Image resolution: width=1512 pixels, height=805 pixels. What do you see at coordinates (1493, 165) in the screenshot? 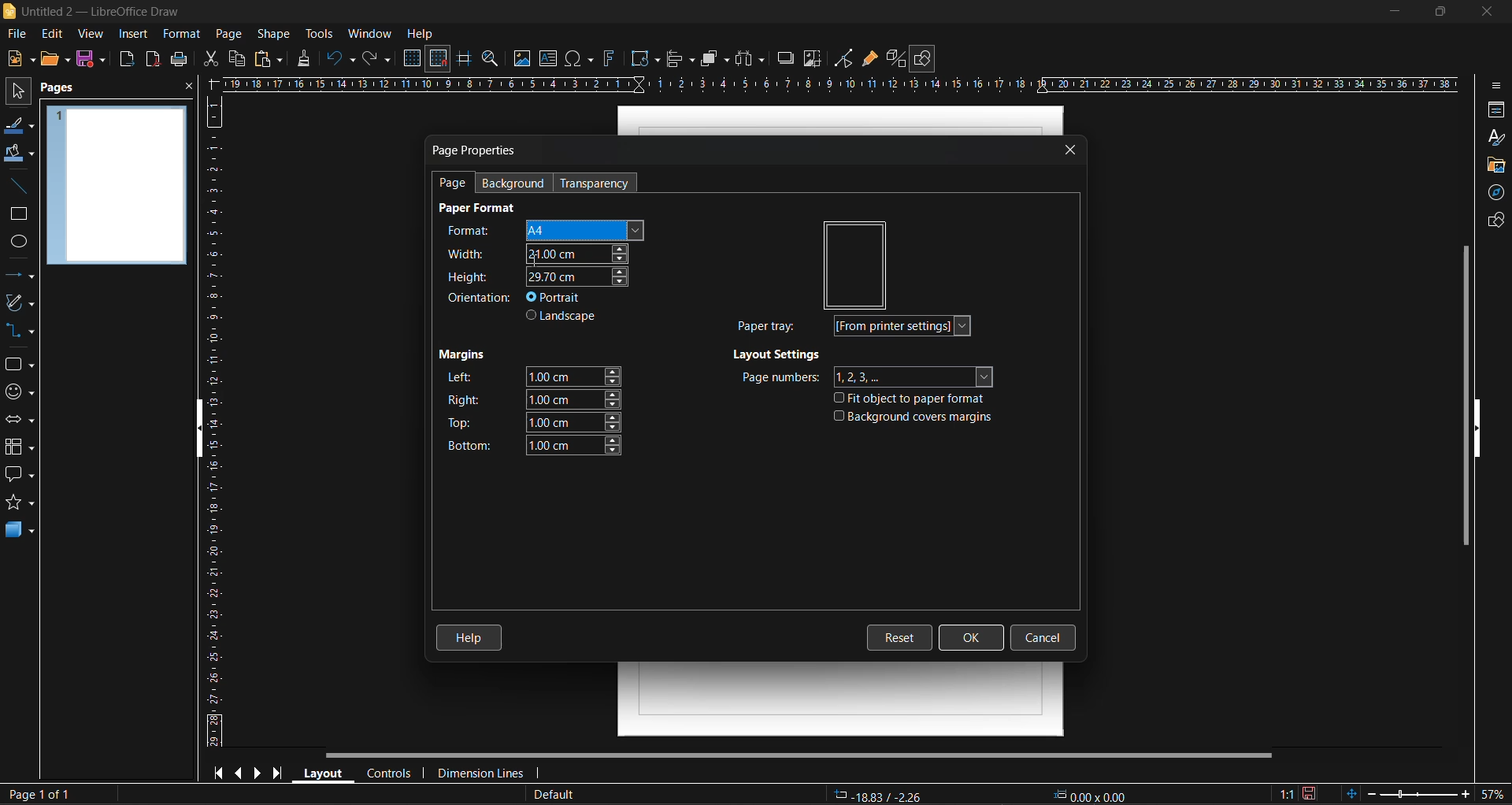
I see `gallery` at bounding box center [1493, 165].